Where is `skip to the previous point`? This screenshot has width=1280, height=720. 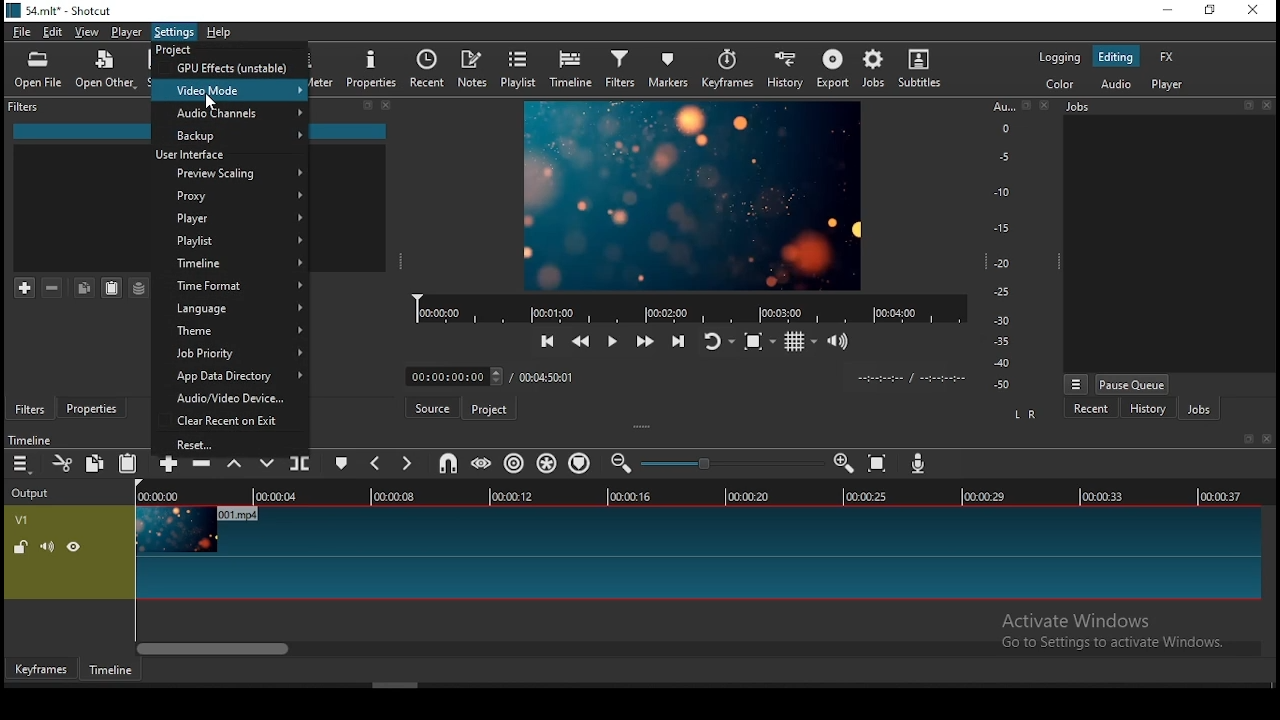
skip to the previous point is located at coordinates (546, 342).